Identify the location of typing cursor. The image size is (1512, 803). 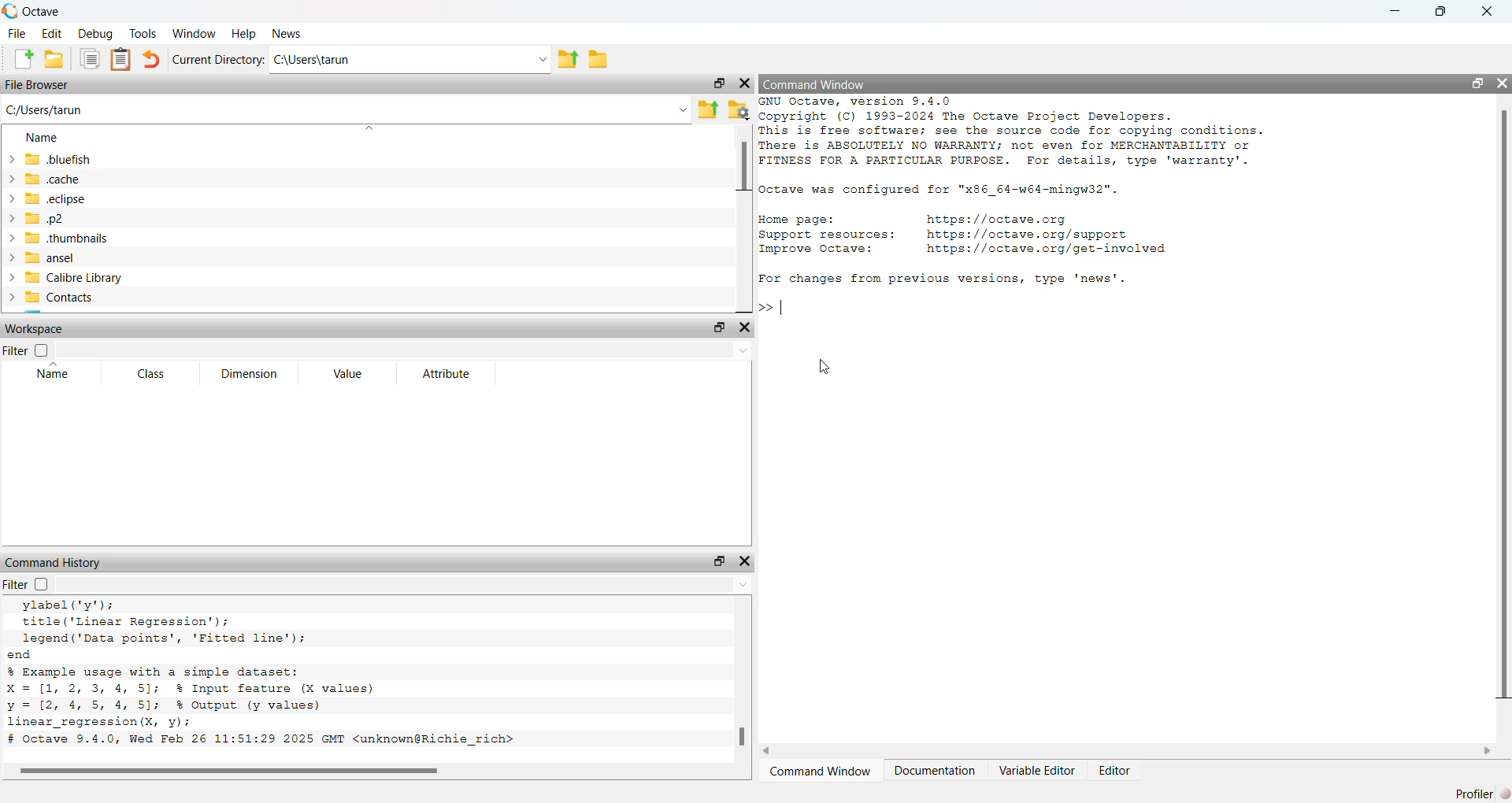
(786, 306).